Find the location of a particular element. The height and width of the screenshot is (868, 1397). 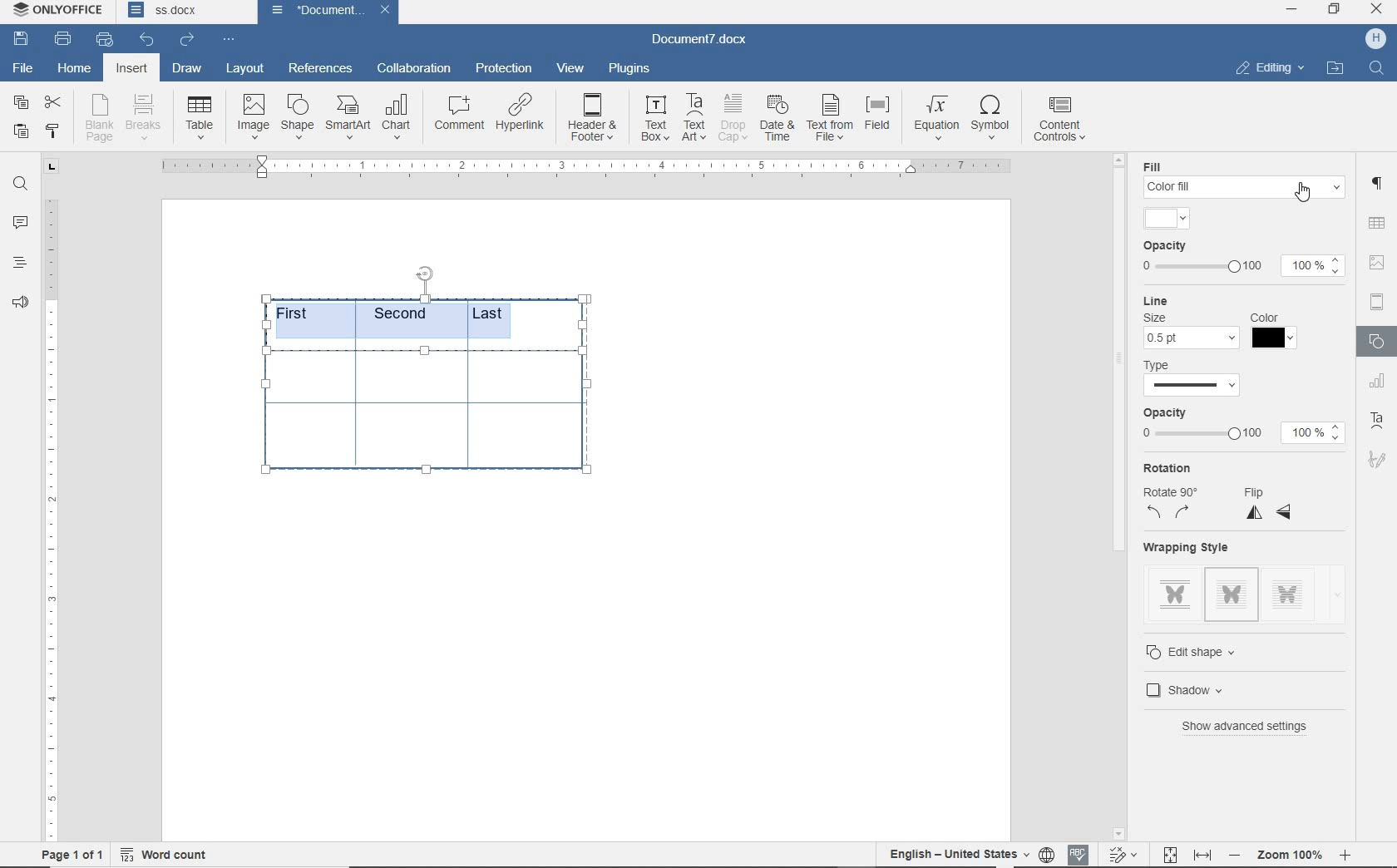

theme colors is located at coordinates (1164, 218).